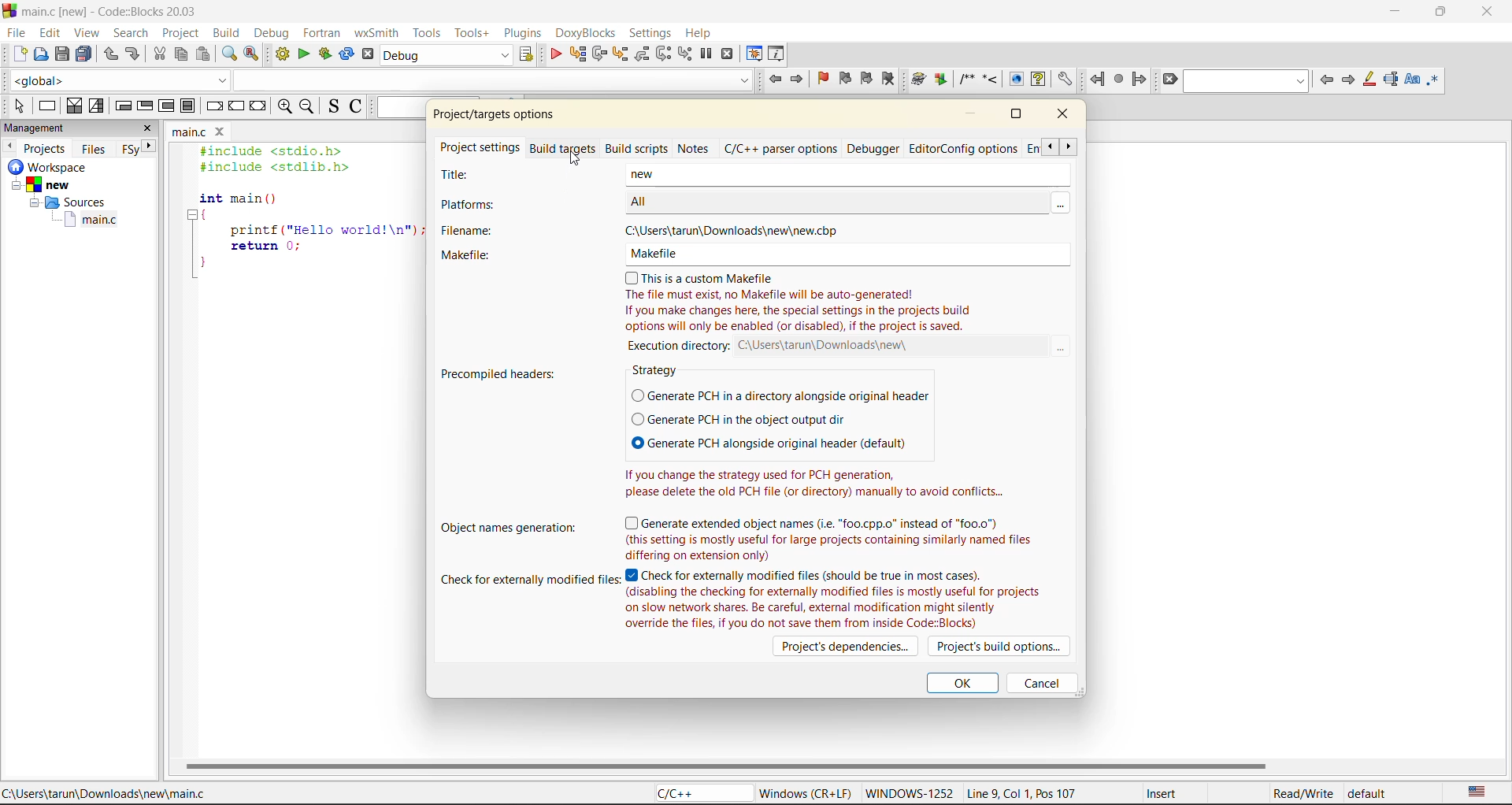  I want to click on redo, so click(135, 54).